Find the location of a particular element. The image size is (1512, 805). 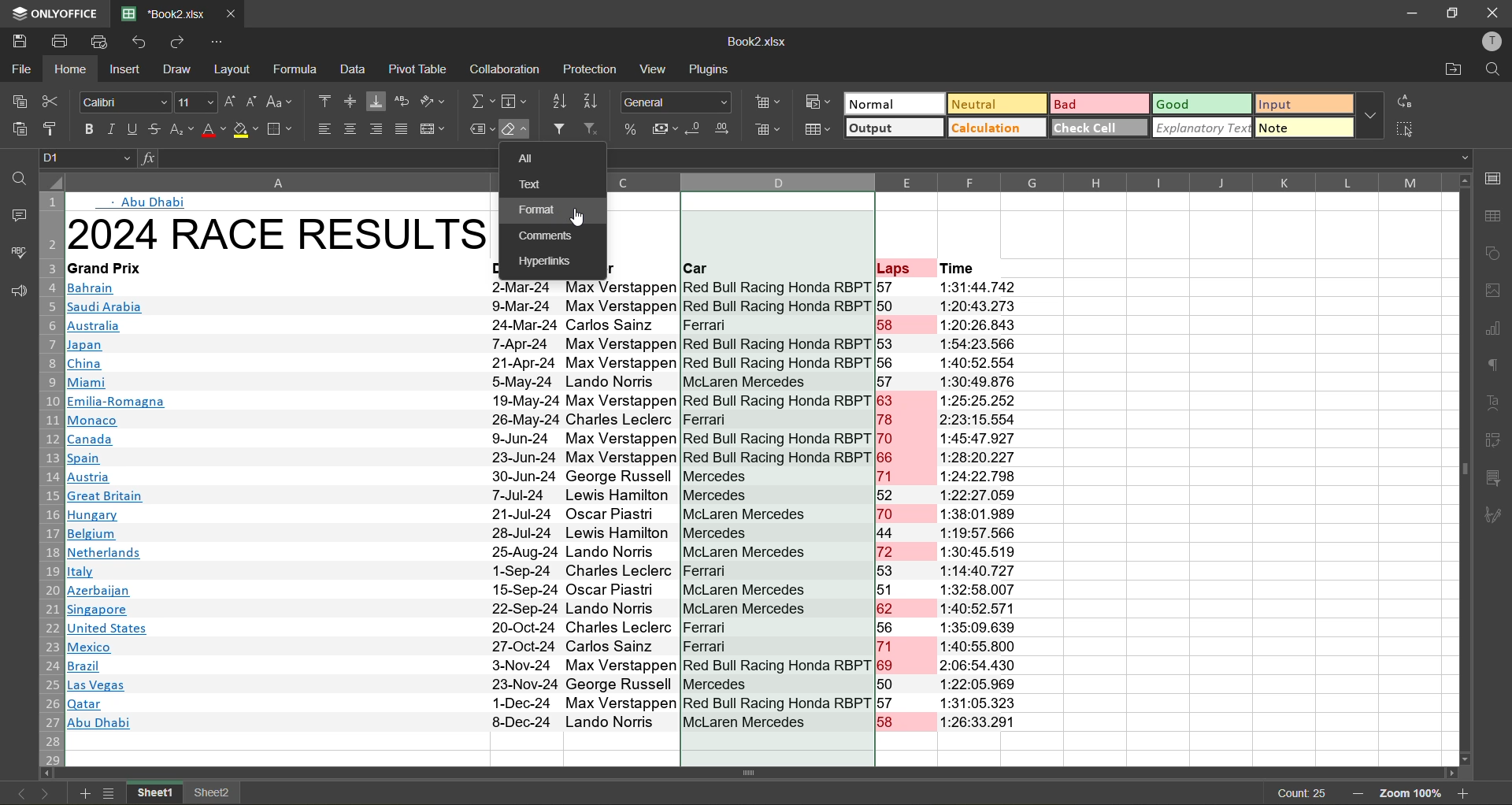

clear is located at coordinates (517, 130).